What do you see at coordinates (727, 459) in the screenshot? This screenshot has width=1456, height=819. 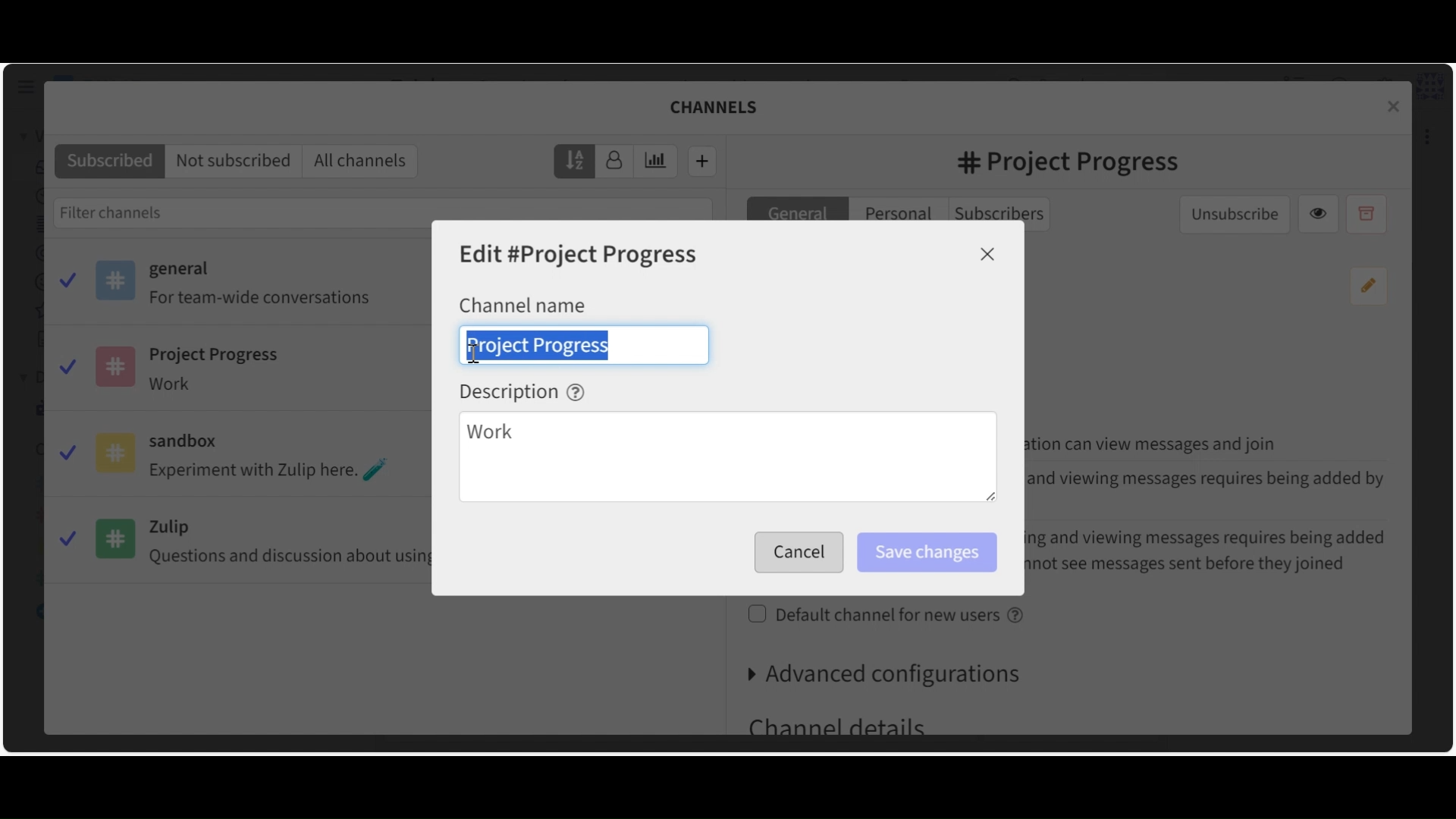 I see `Description Field` at bounding box center [727, 459].